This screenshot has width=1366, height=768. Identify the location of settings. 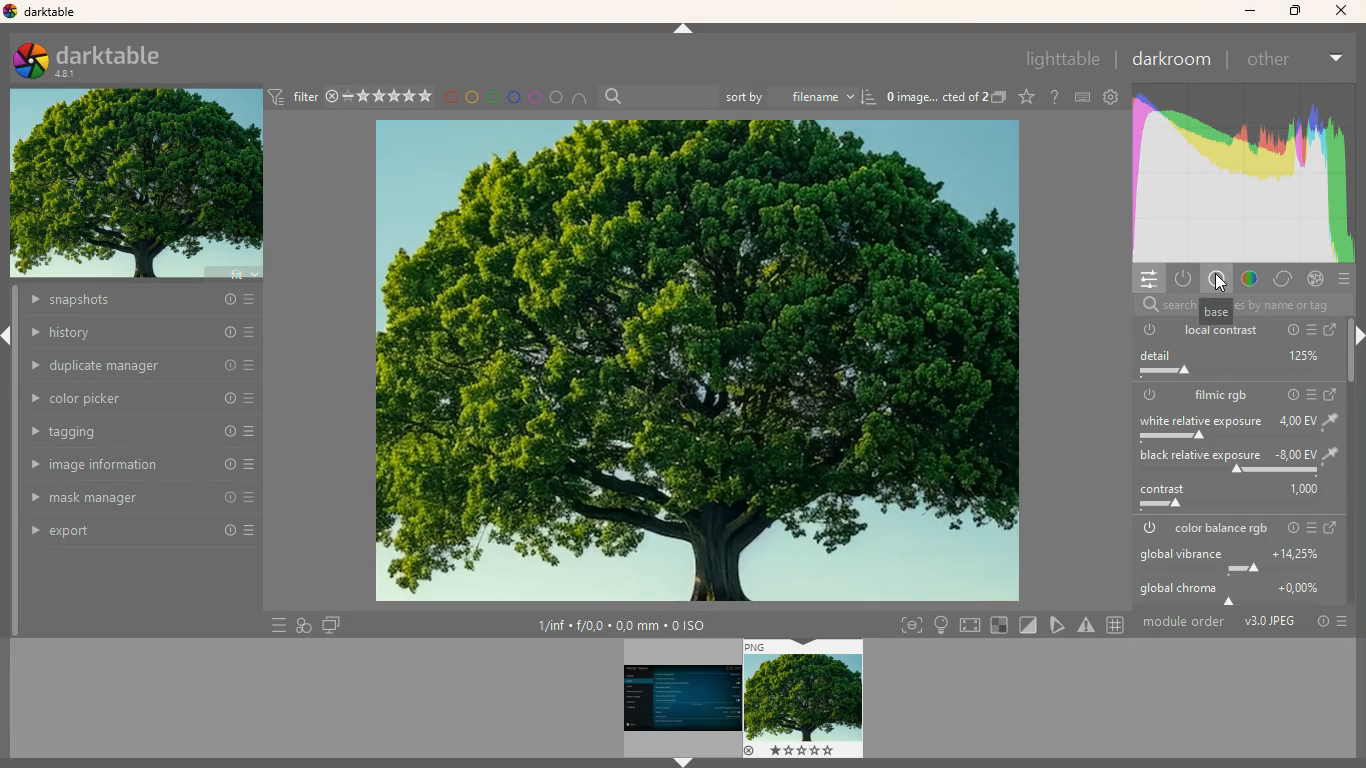
(1147, 279).